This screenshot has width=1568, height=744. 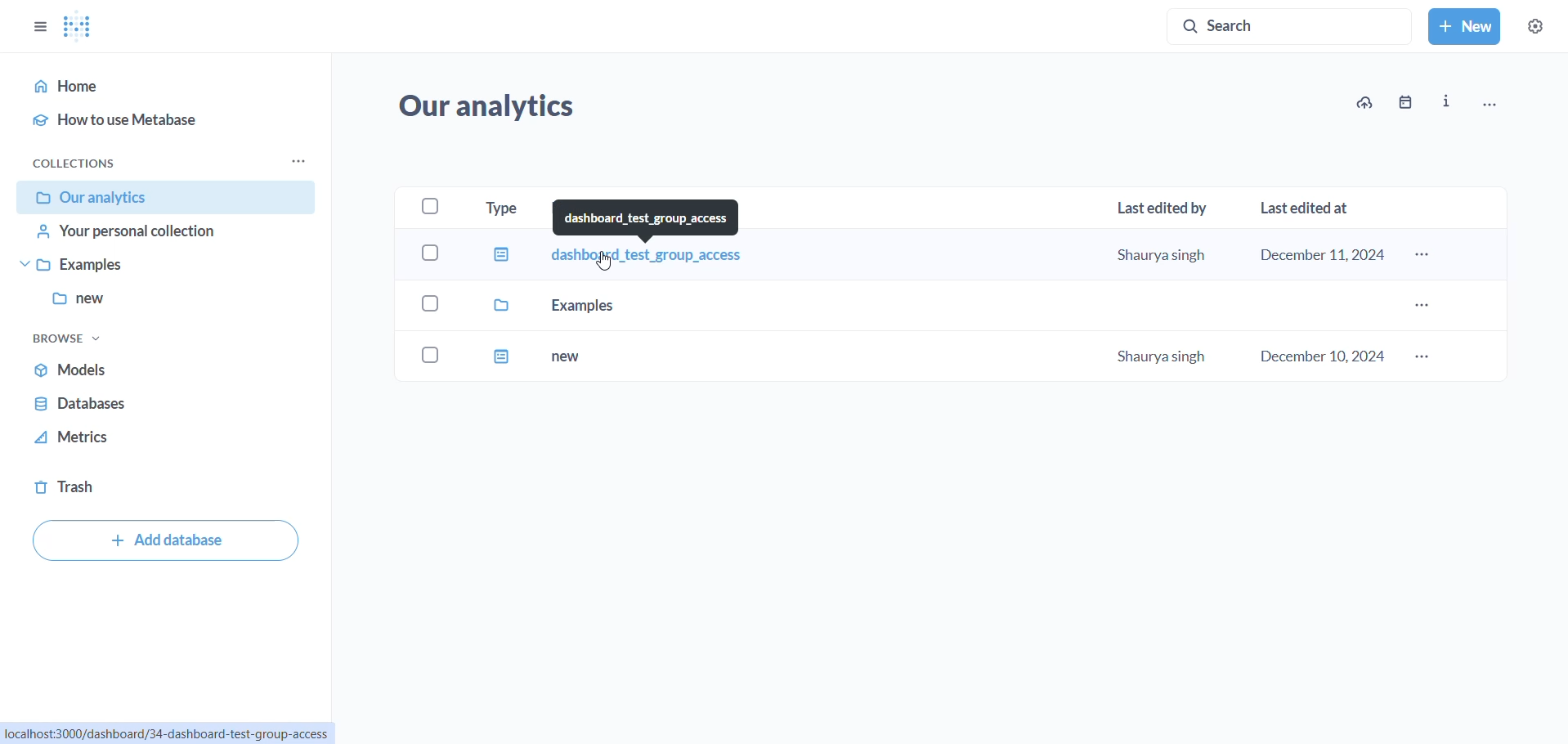 I want to click on browse, so click(x=78, y=342).